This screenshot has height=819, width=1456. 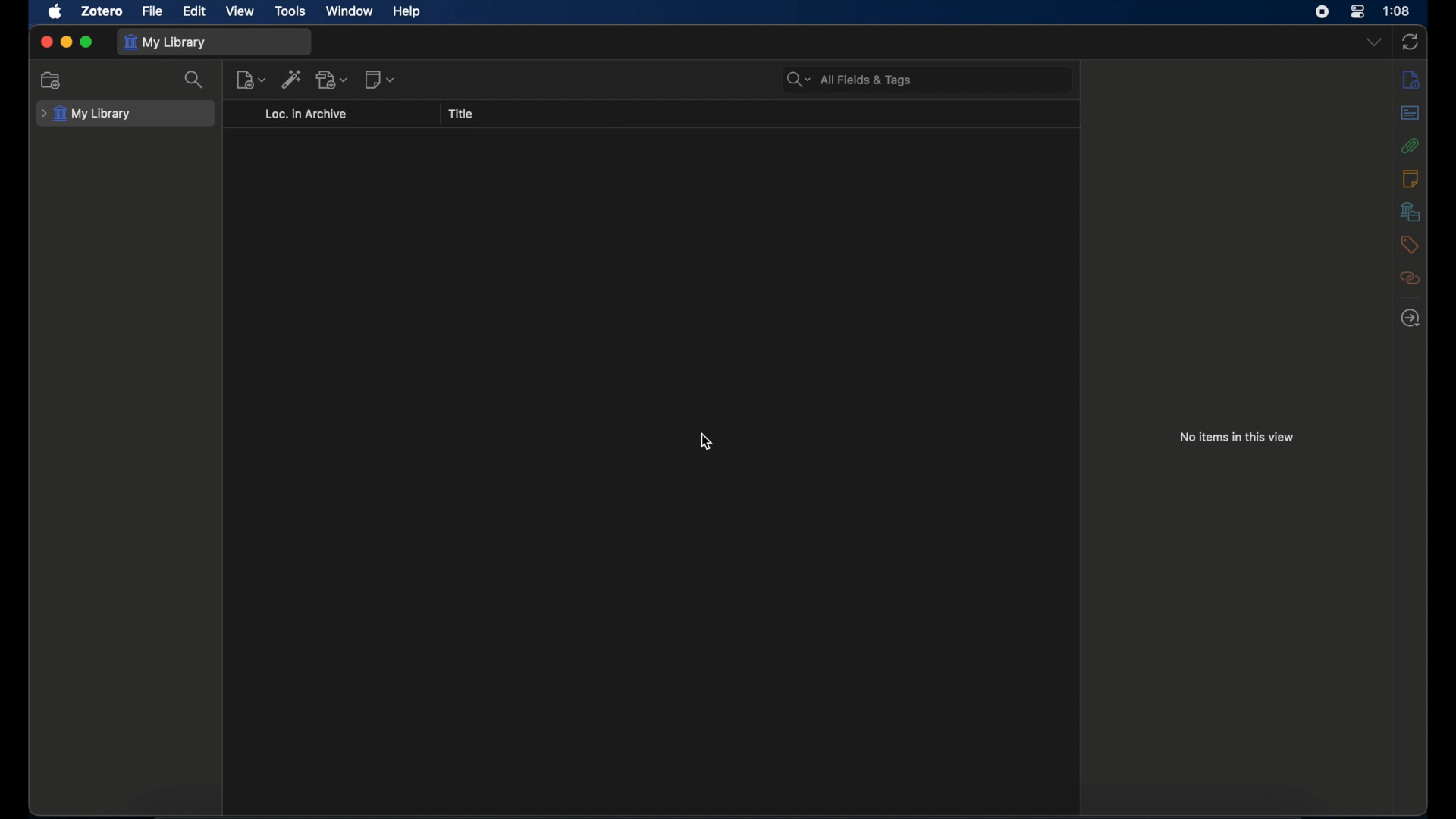 What do you see at coordinates (1409, 245) in the screenshot?
I see `tags` at bounding box center [1409, 245].